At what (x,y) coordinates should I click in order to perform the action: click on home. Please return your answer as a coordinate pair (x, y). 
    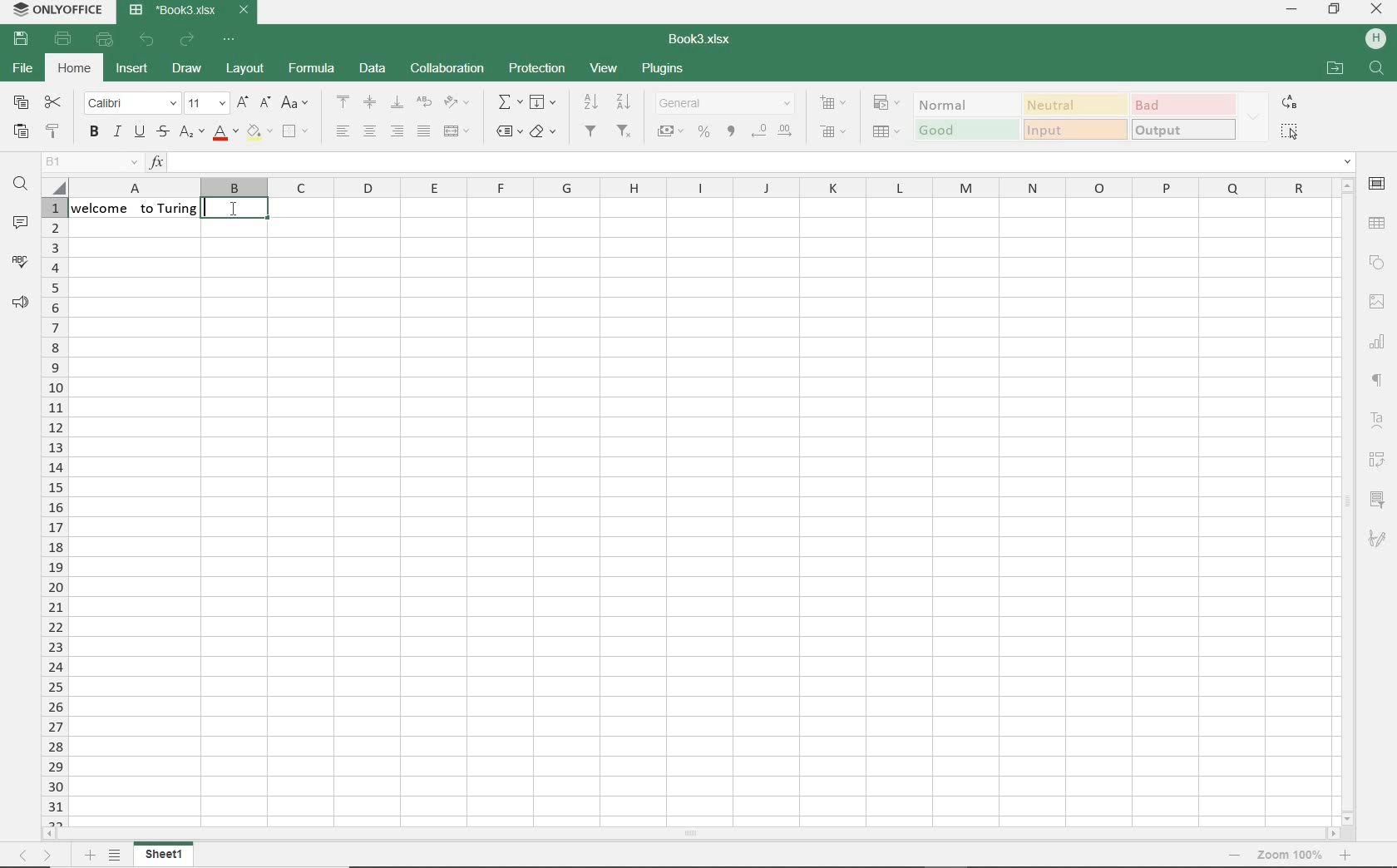
    Looking at the image, I should click on (74, 70).